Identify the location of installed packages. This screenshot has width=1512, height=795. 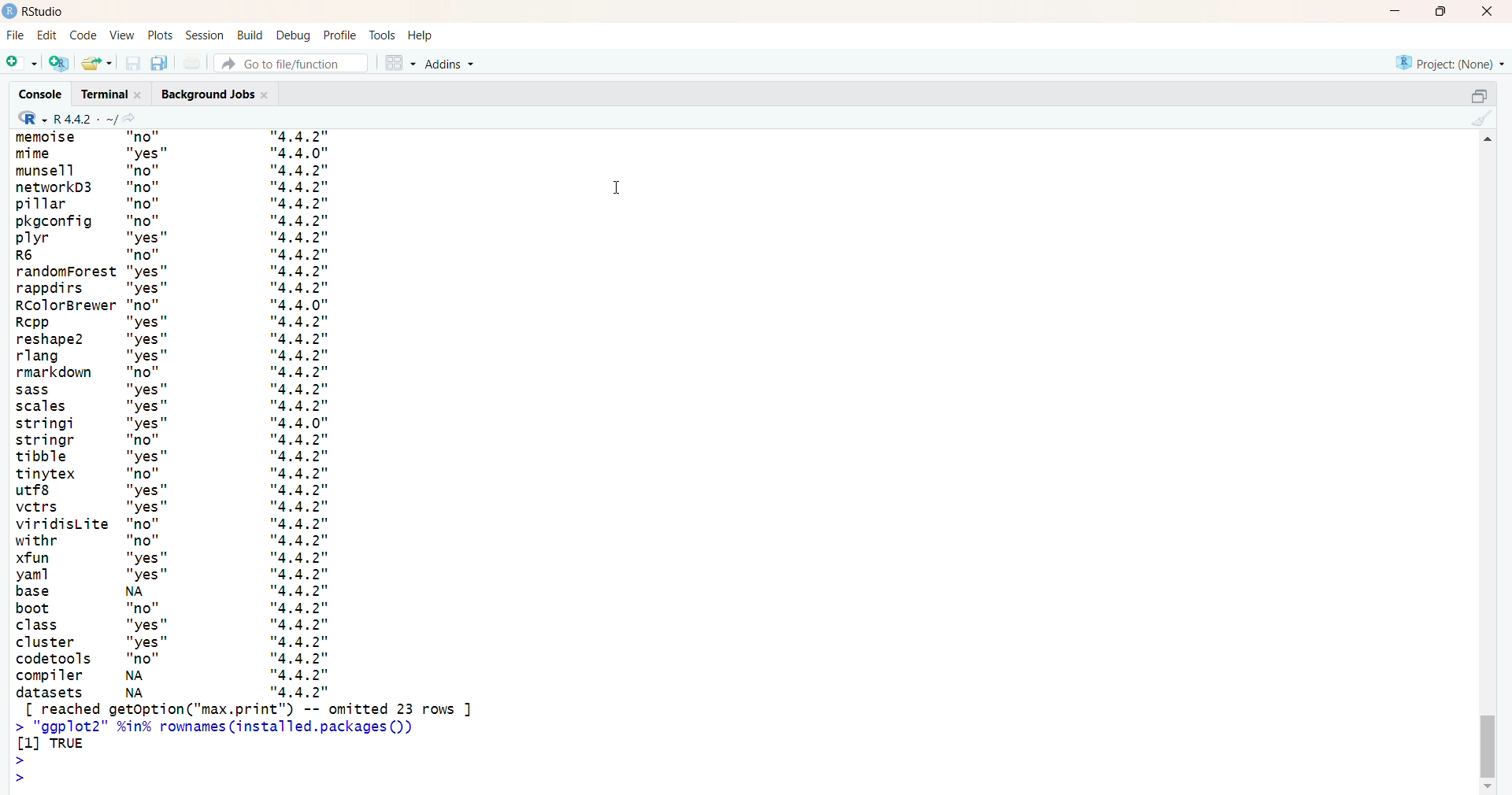
(246, 463).